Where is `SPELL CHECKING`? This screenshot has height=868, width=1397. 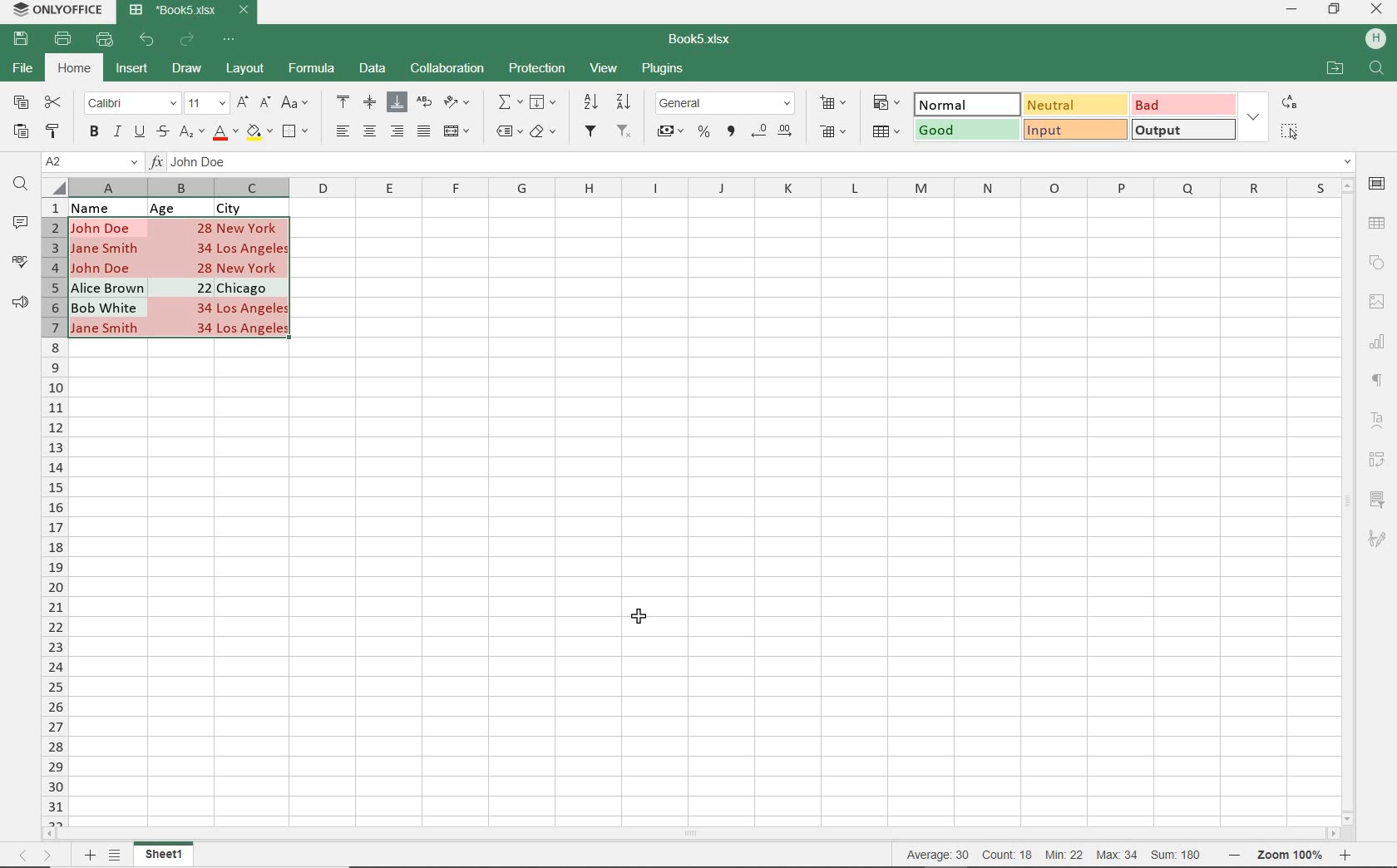 SPELL CHECKING is located at coordinates (20, 262).